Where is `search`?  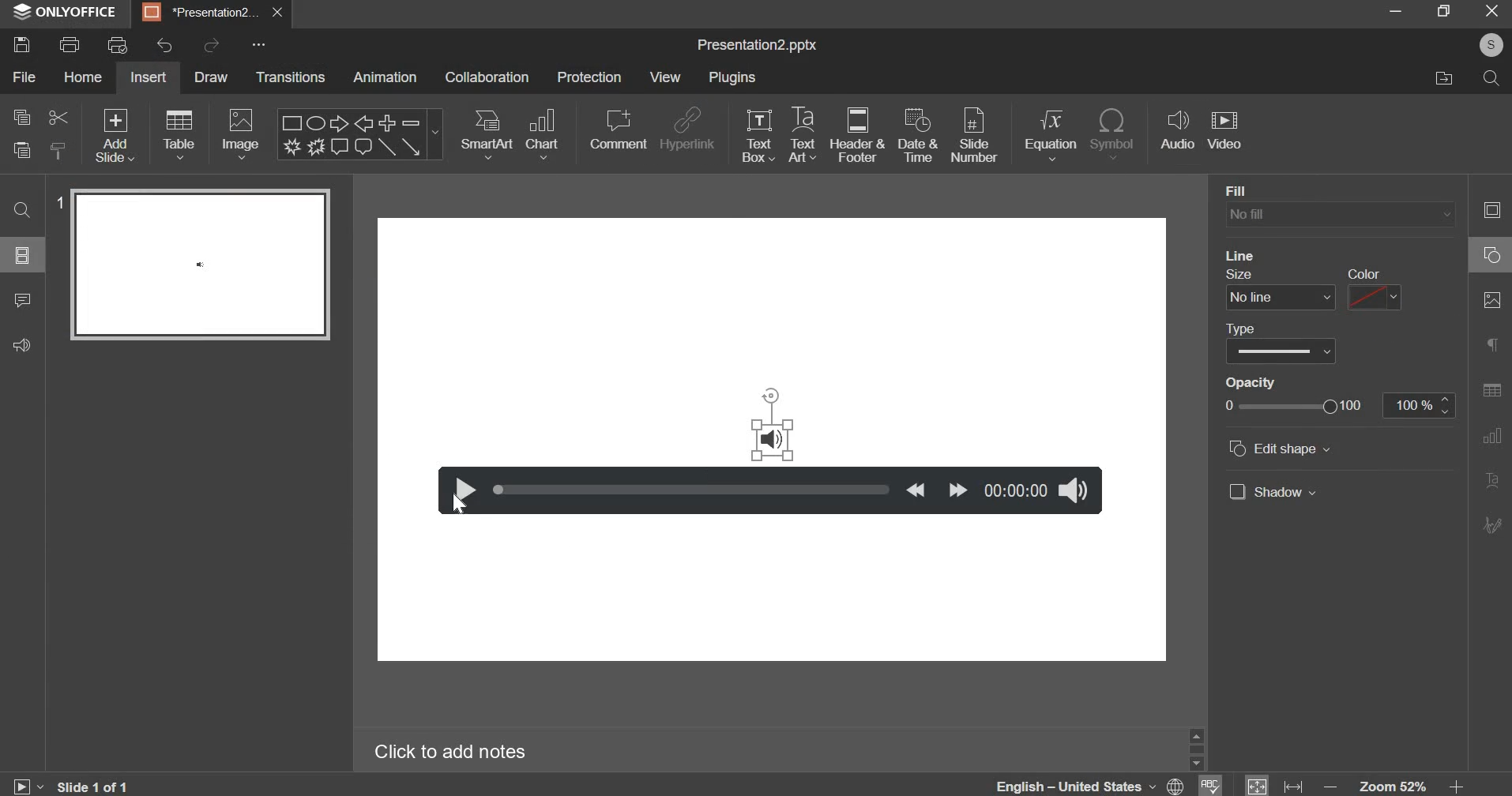 search is located at coordinates (1491, 79).